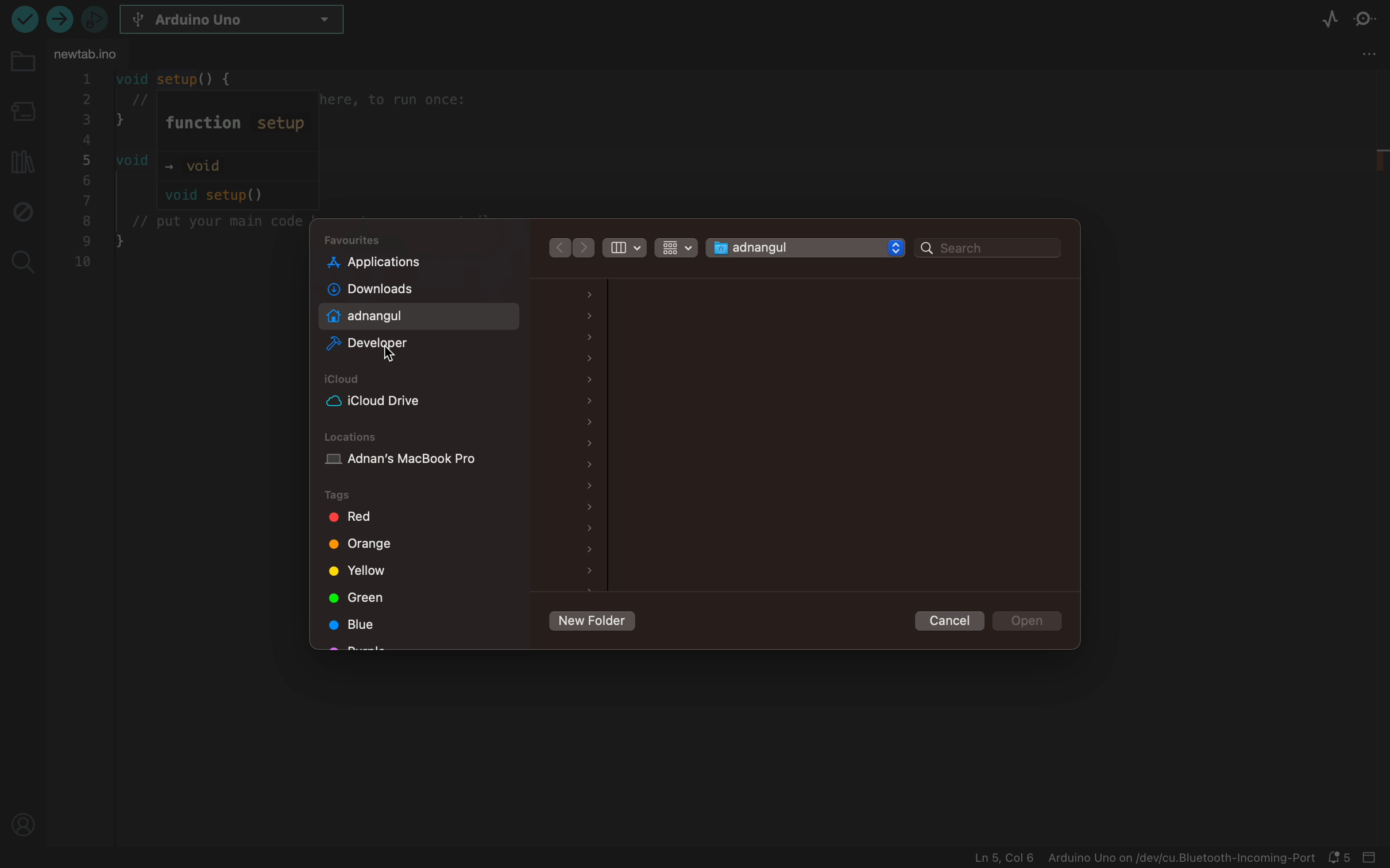 Image resolution: width=1390 pixels, height=868 pixels. I want to click on icloud drive, so click(395, 401).